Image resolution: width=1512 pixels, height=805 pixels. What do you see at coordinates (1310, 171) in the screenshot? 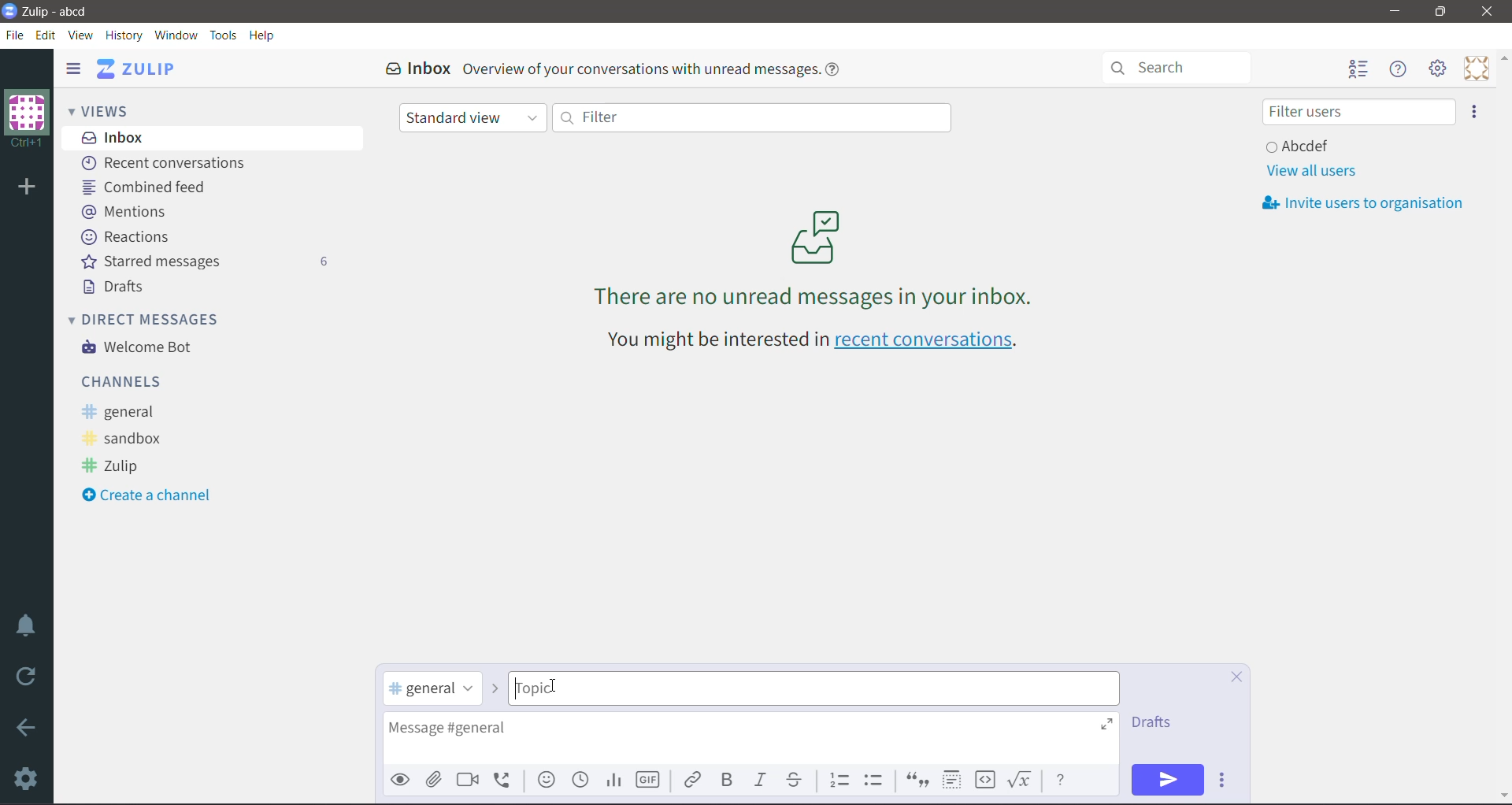
I see `View all users` at bounding box center [1310, 171].